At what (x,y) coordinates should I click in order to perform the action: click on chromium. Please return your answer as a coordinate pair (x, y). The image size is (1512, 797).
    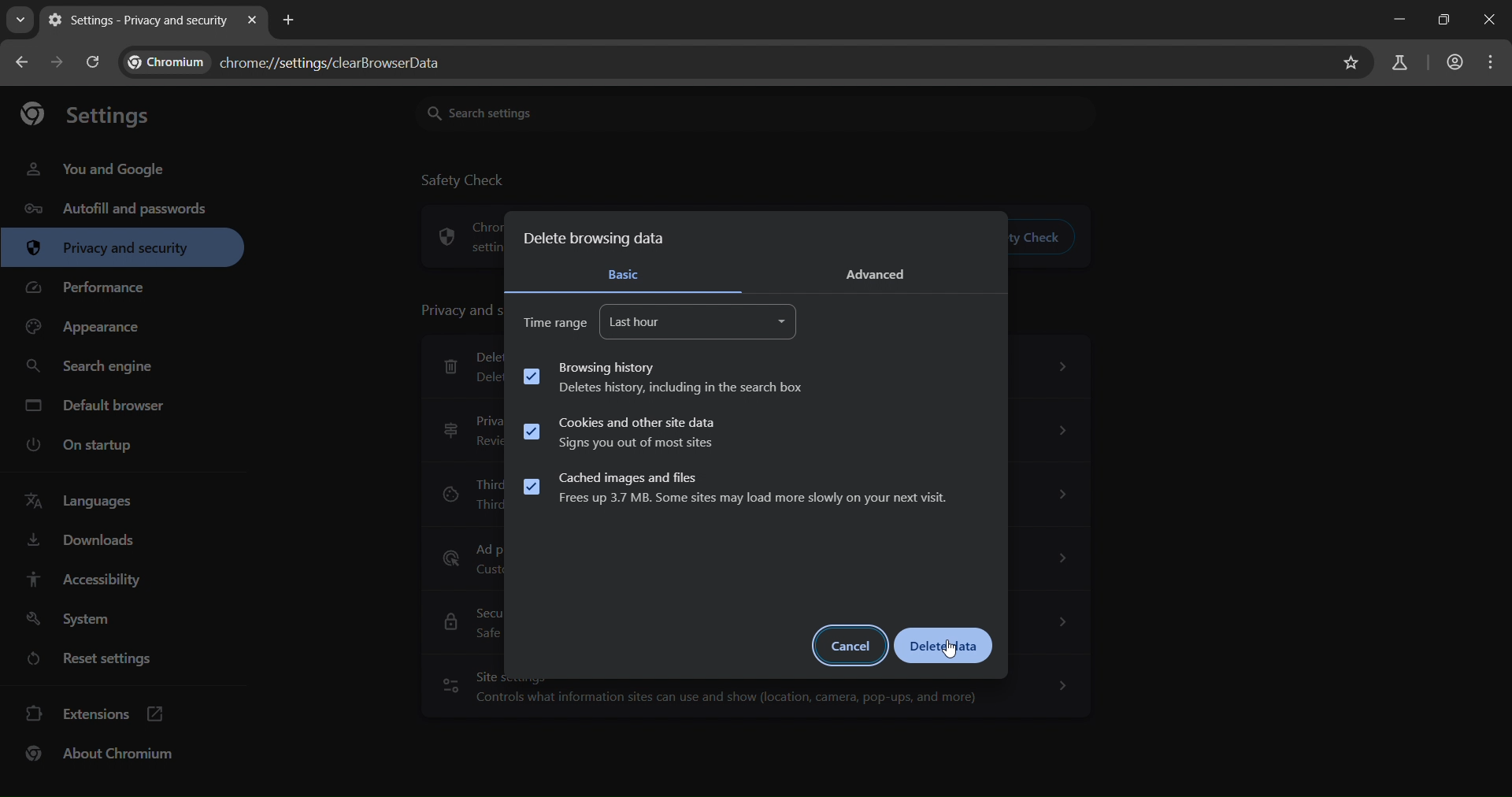
    Looking at the image, I should click on (166, 61).